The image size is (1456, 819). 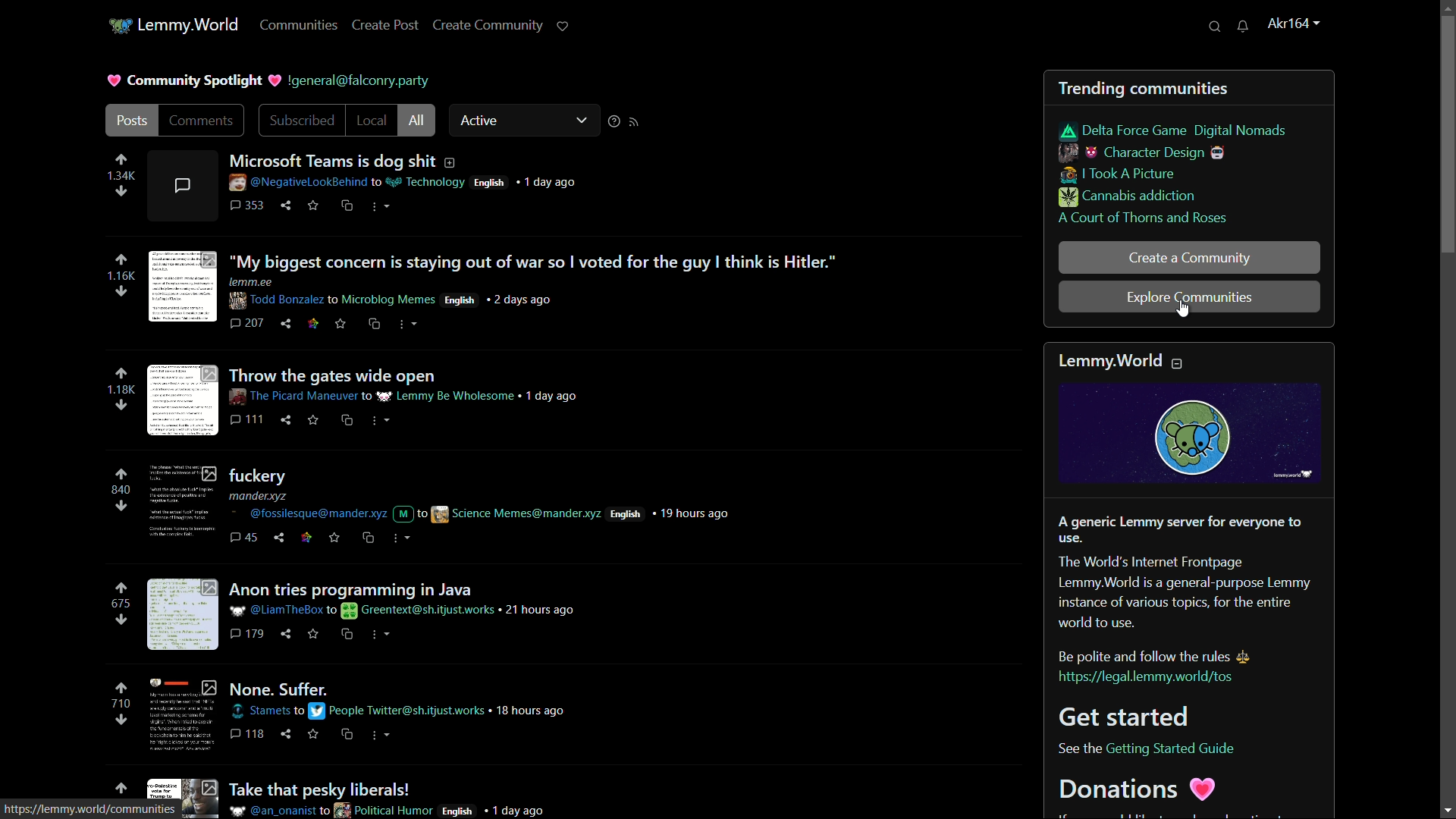 I want to click on upvote, so click(x=119, y=588).